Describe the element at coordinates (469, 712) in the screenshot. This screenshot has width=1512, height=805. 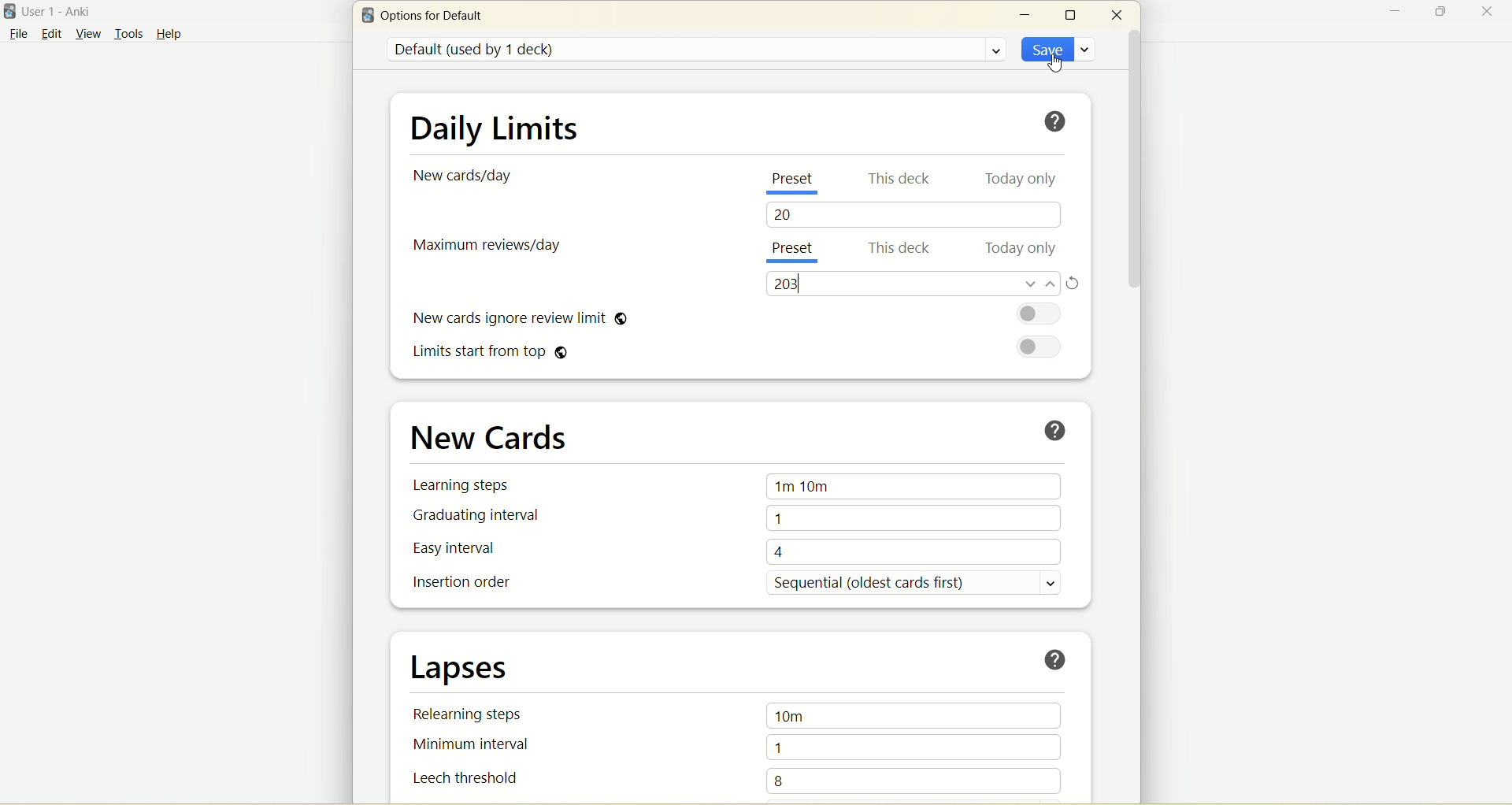
I see `relearning steps` at that location.